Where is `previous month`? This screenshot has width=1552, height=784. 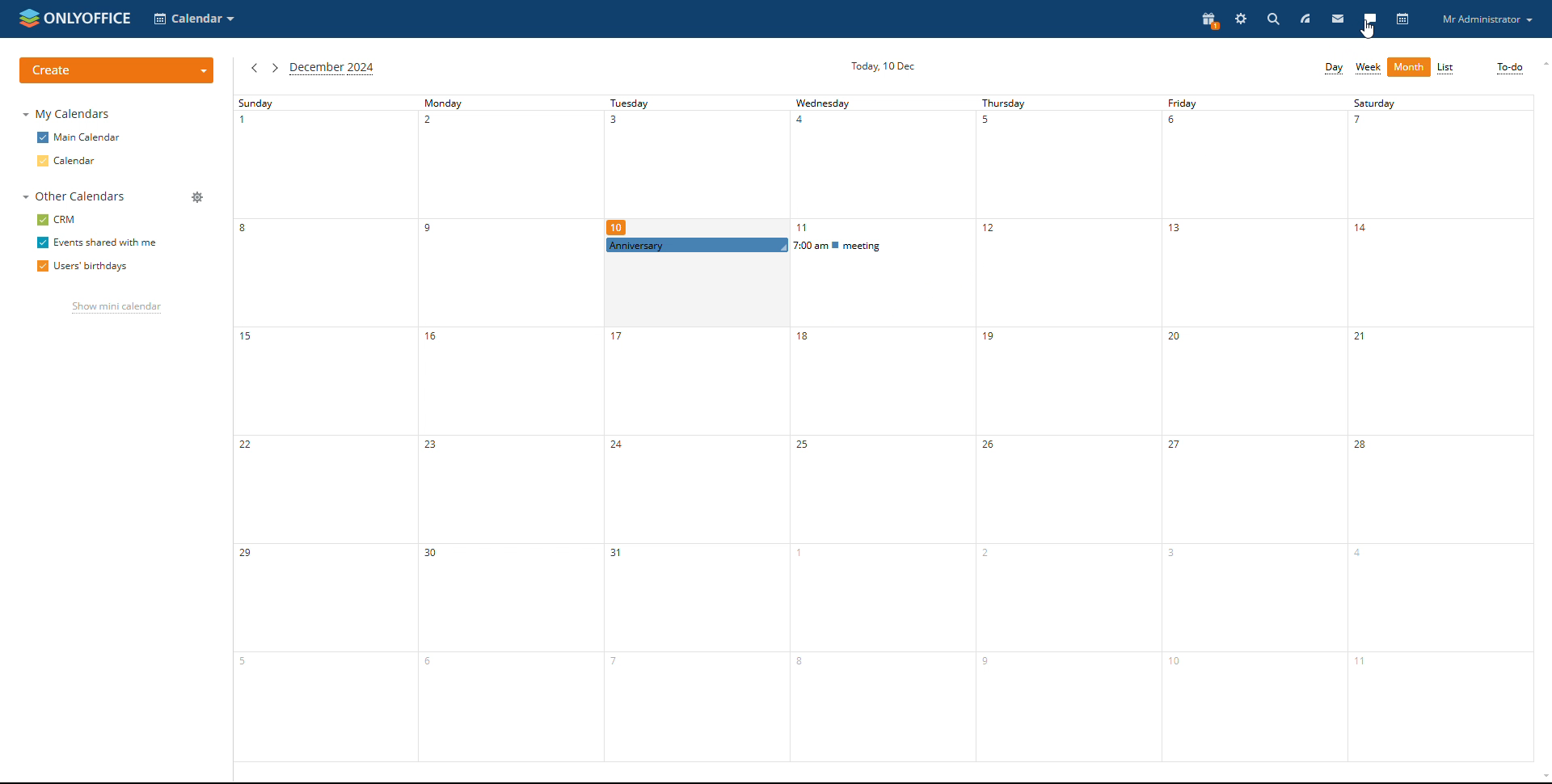
previous month is located at coordinates (255, 68).